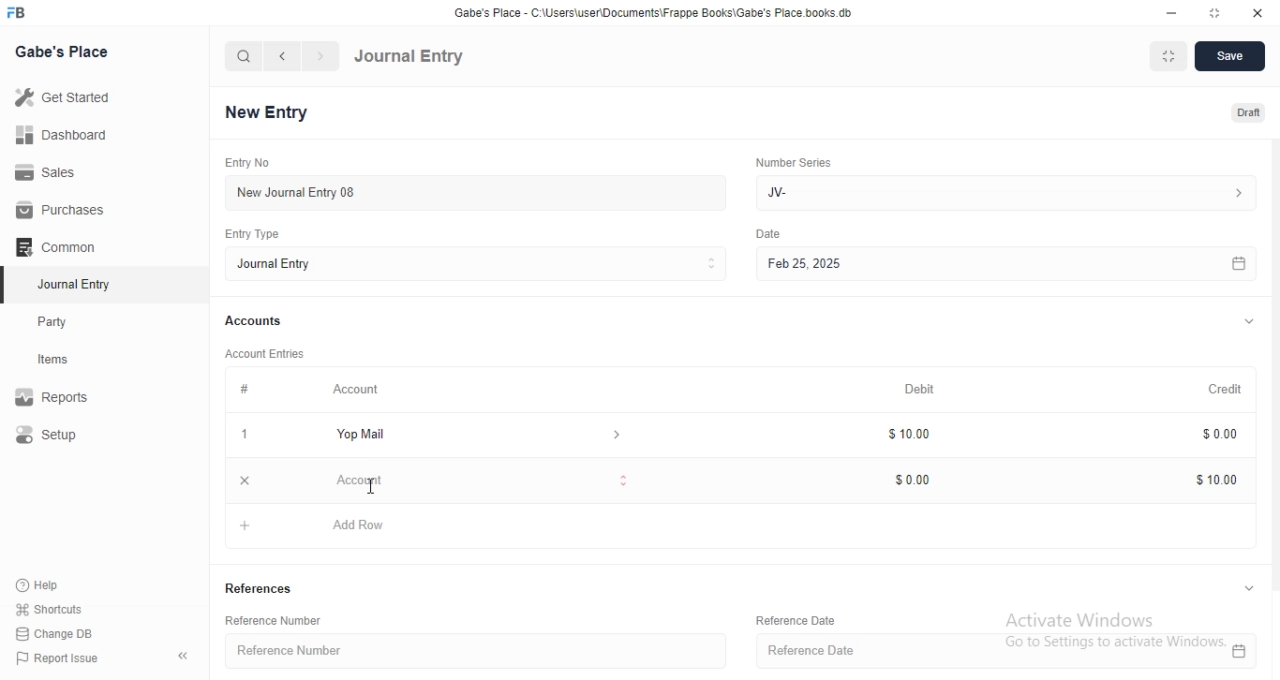 This screenshot has width=1280, height=680. Describe the element at coordinates (1003, 263) in the screenshot. I see `Feb 25, 2025` at that location.